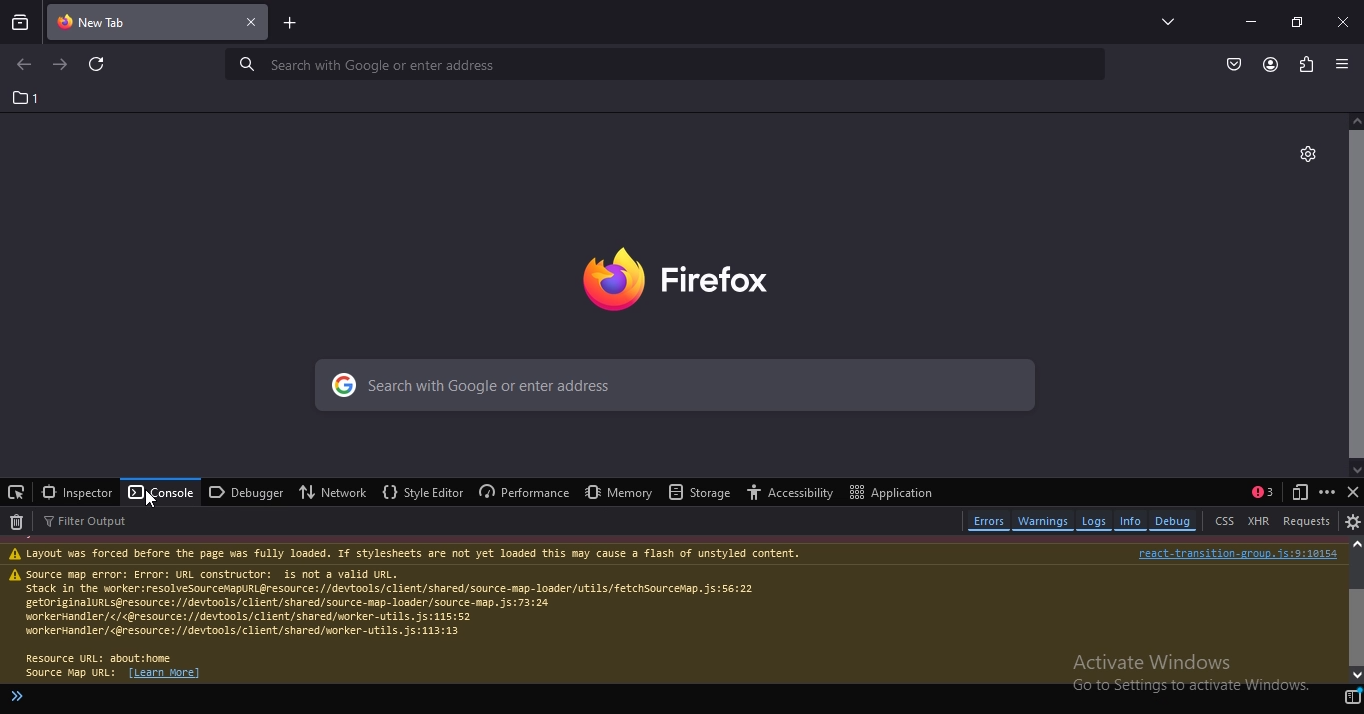 This screenshot has width=1364, height=714. What do you see at coordinates (1258, 519) in the screenshot?
I see `XHR` at bounding box center [1258, 519].